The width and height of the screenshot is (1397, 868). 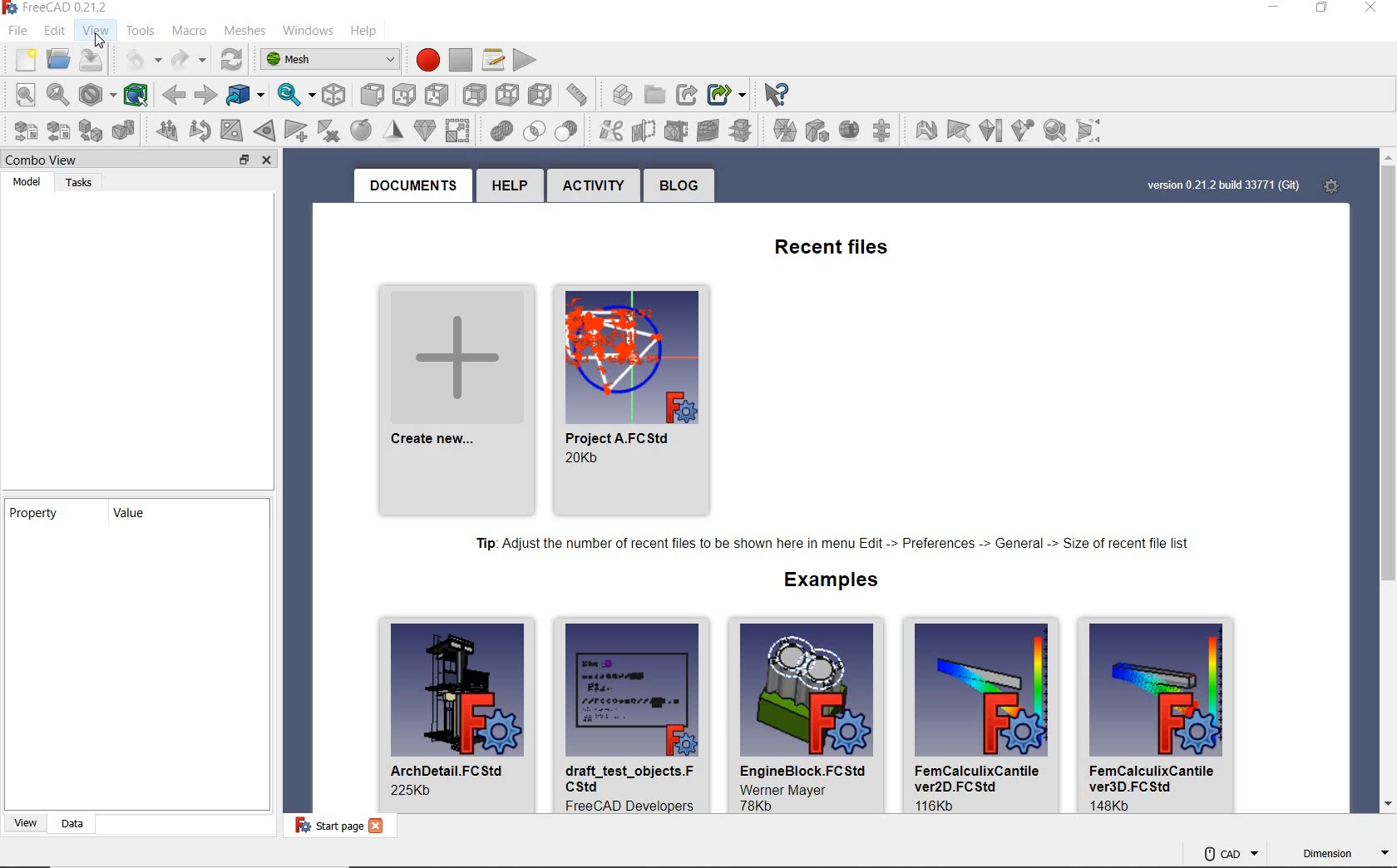 I want to click on data, so click(x=68, y=823).